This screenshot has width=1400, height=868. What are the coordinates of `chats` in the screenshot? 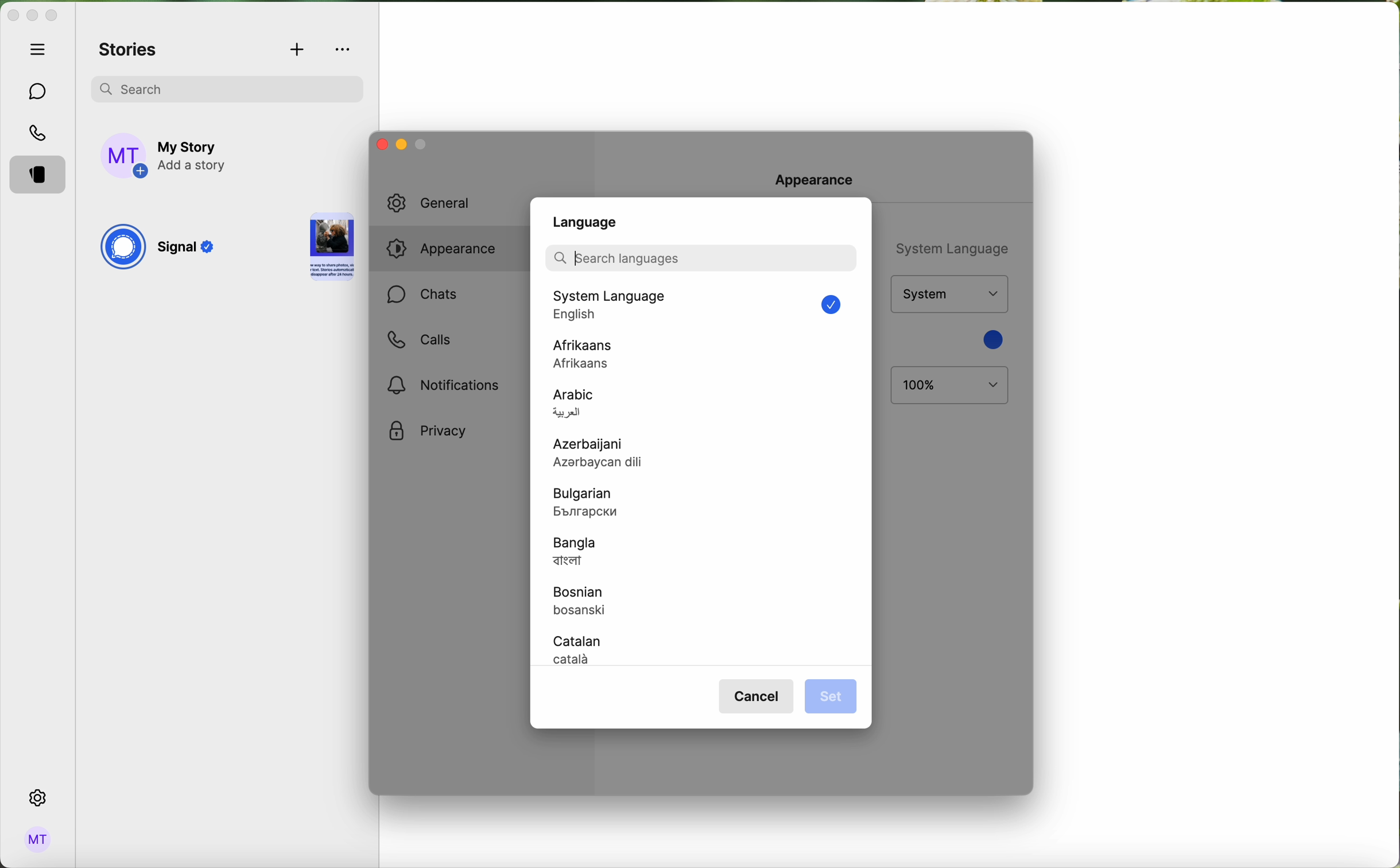 It's located at (38, 92).